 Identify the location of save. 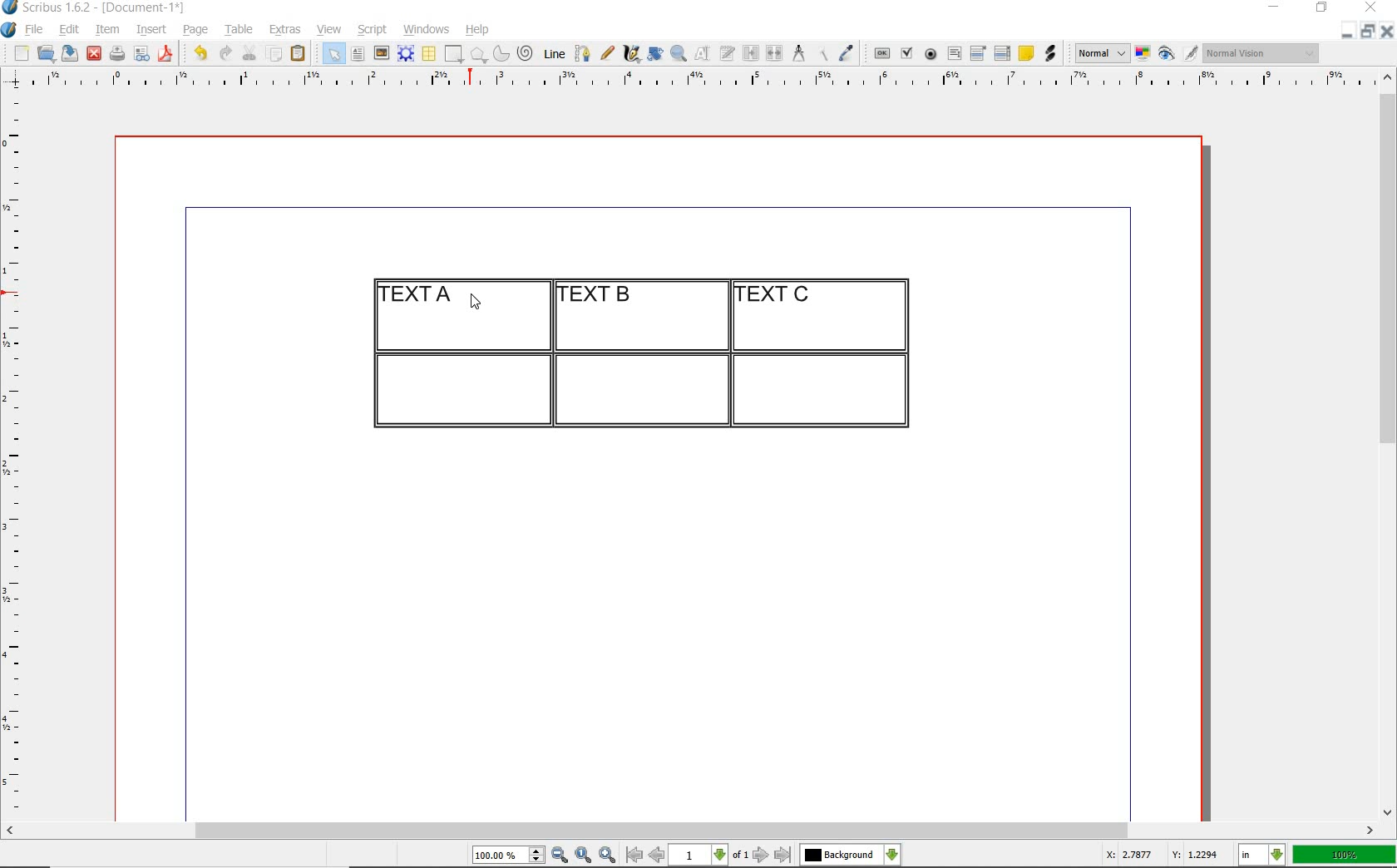
(67, 53).